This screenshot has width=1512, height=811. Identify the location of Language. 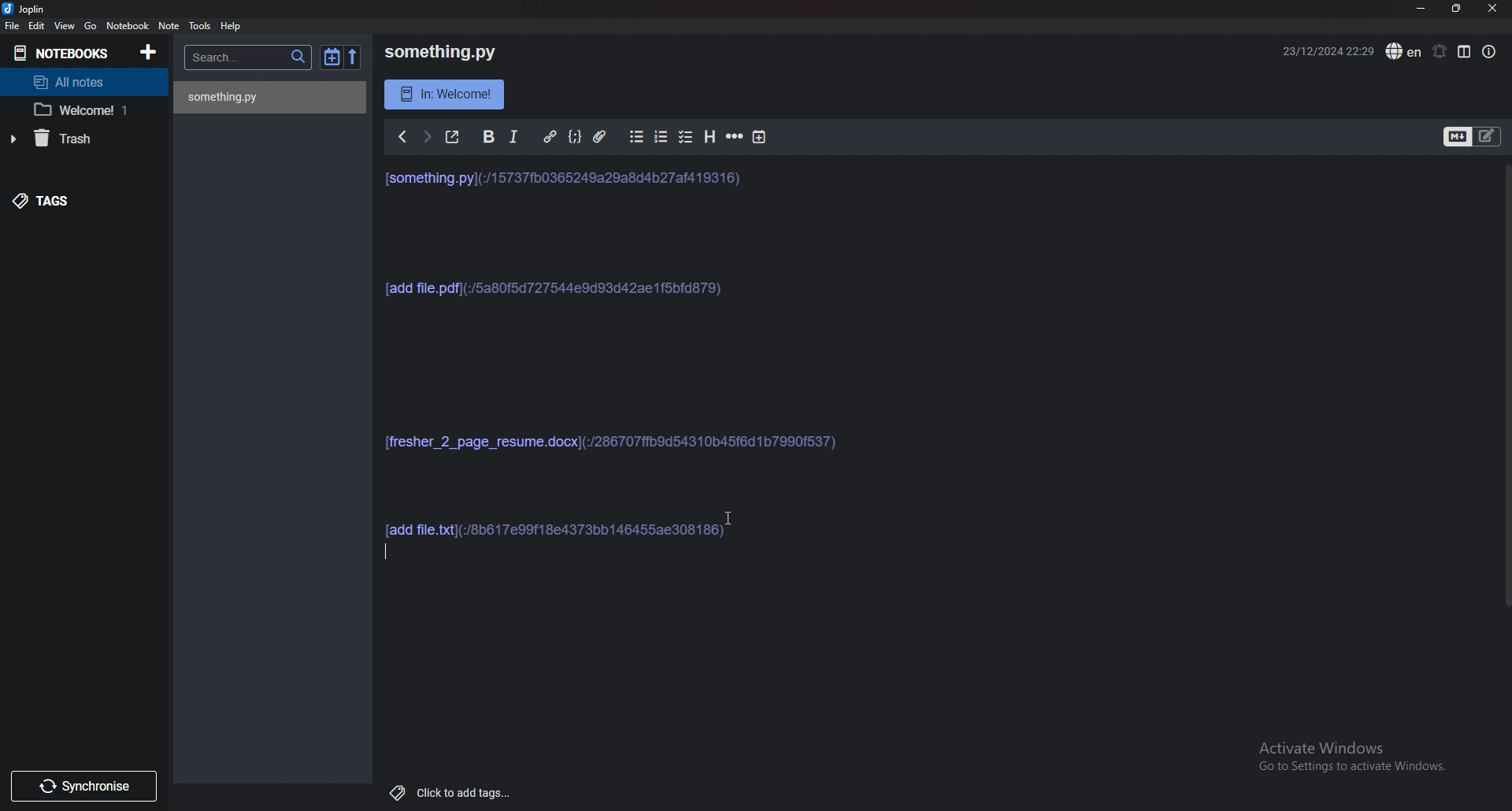
(1403, 51).